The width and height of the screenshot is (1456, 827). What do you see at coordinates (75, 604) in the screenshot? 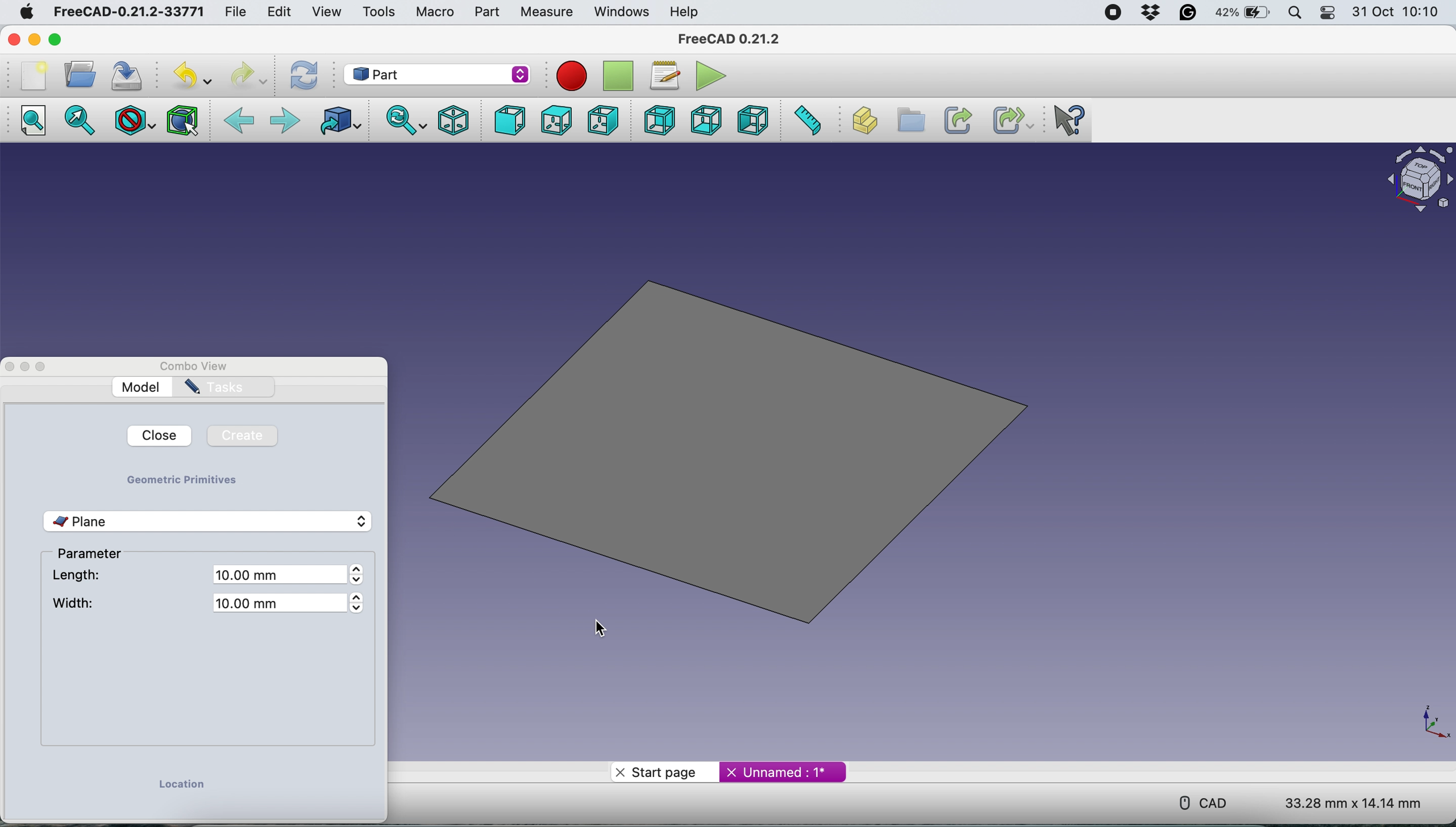
I see `width` at bounding box center [75, 604].